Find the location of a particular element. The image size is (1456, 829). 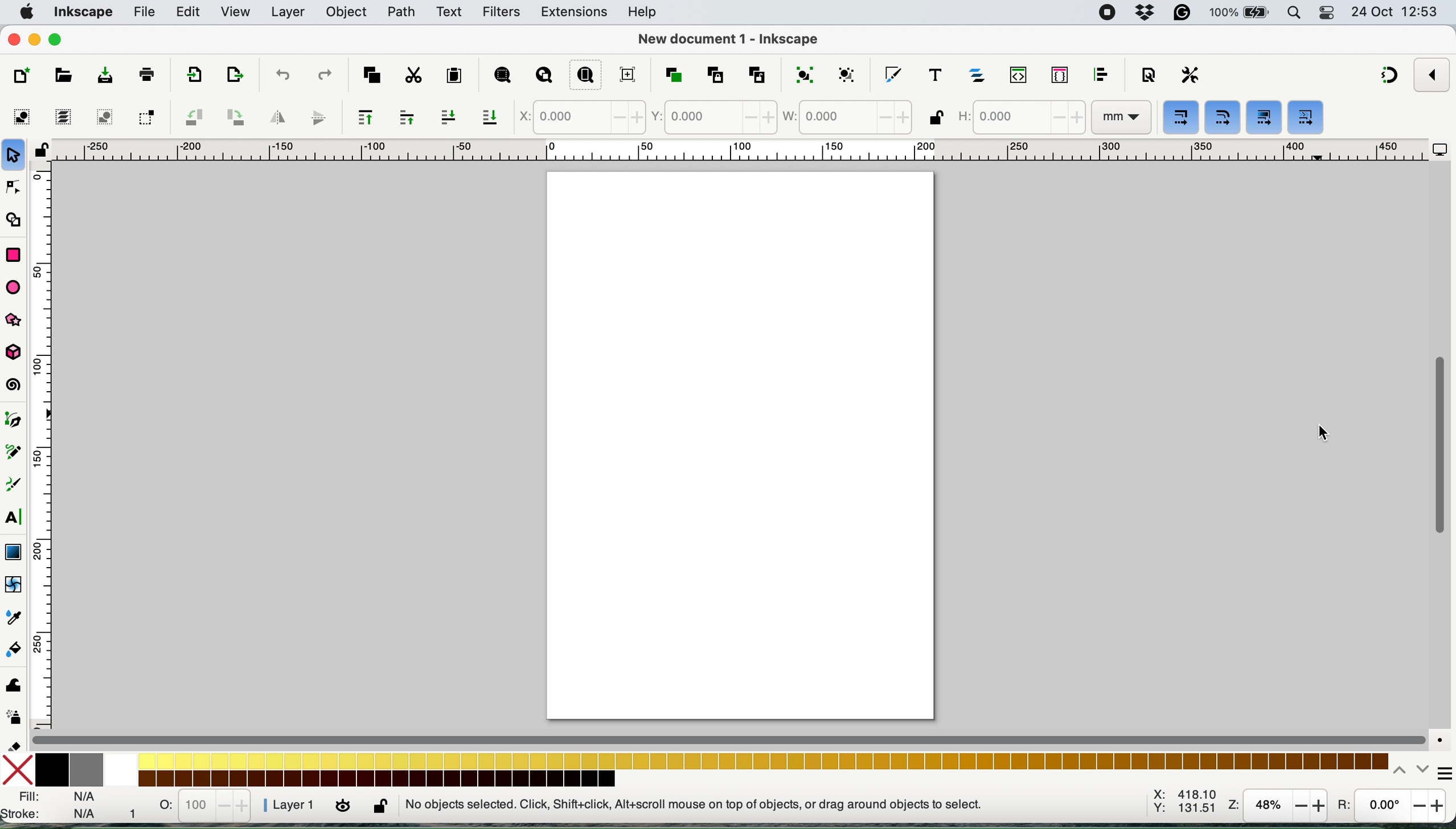

stars and banners tools is located at coordinates (16, 322).